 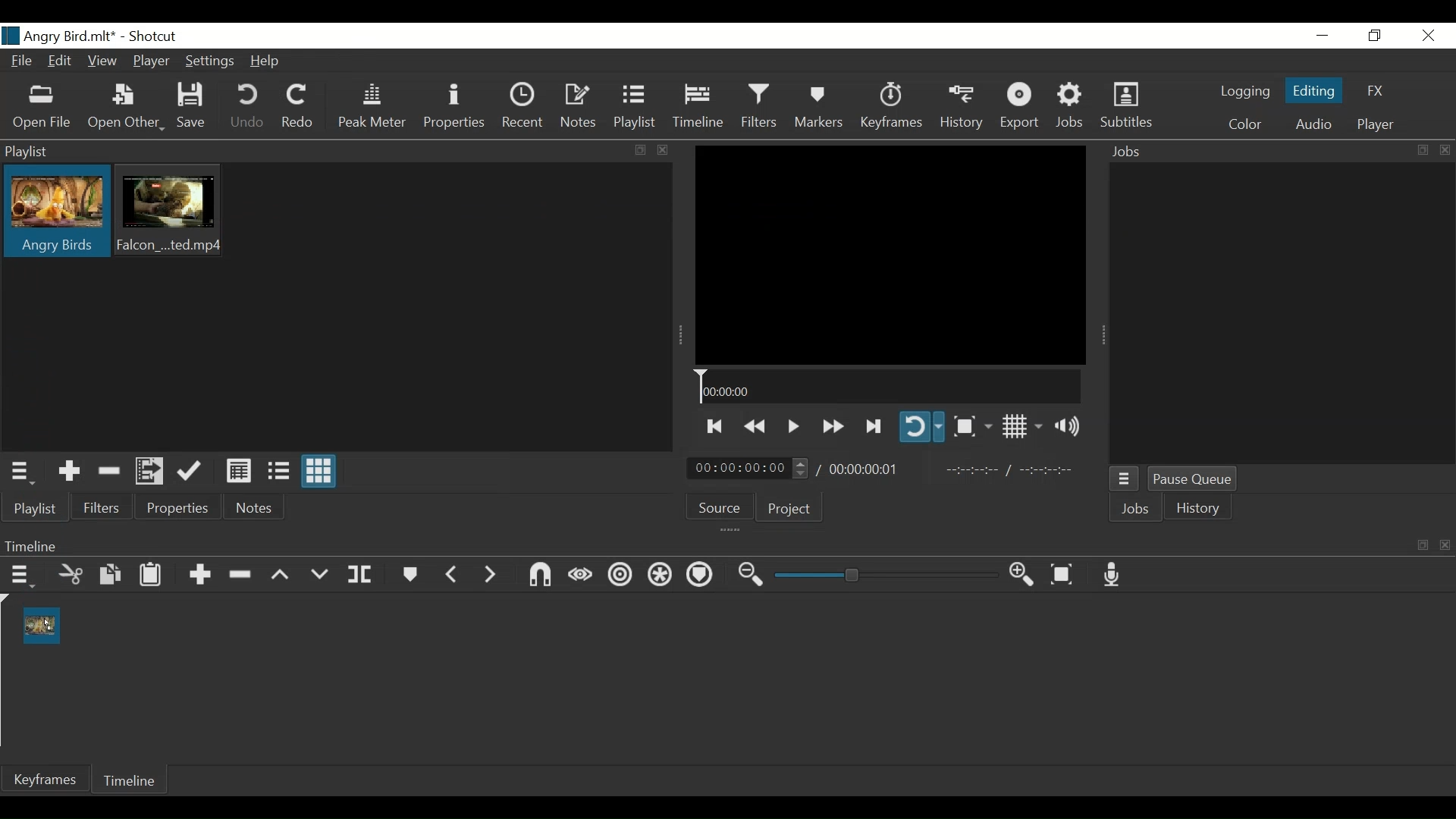 I want to click on Clip, so click(x=174, y=212).